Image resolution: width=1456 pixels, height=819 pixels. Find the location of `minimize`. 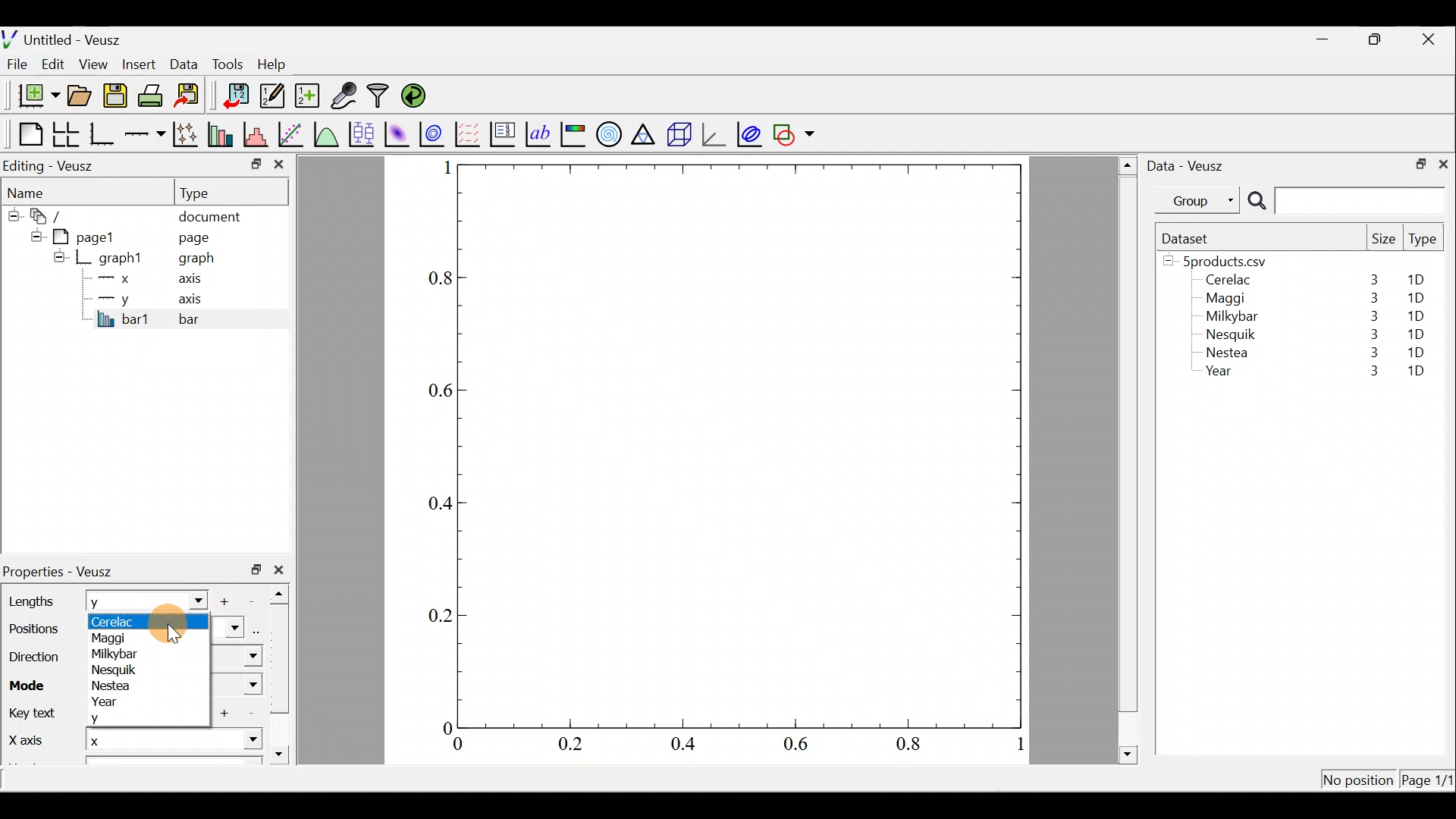

minimize is located at coordinates (255, 163).